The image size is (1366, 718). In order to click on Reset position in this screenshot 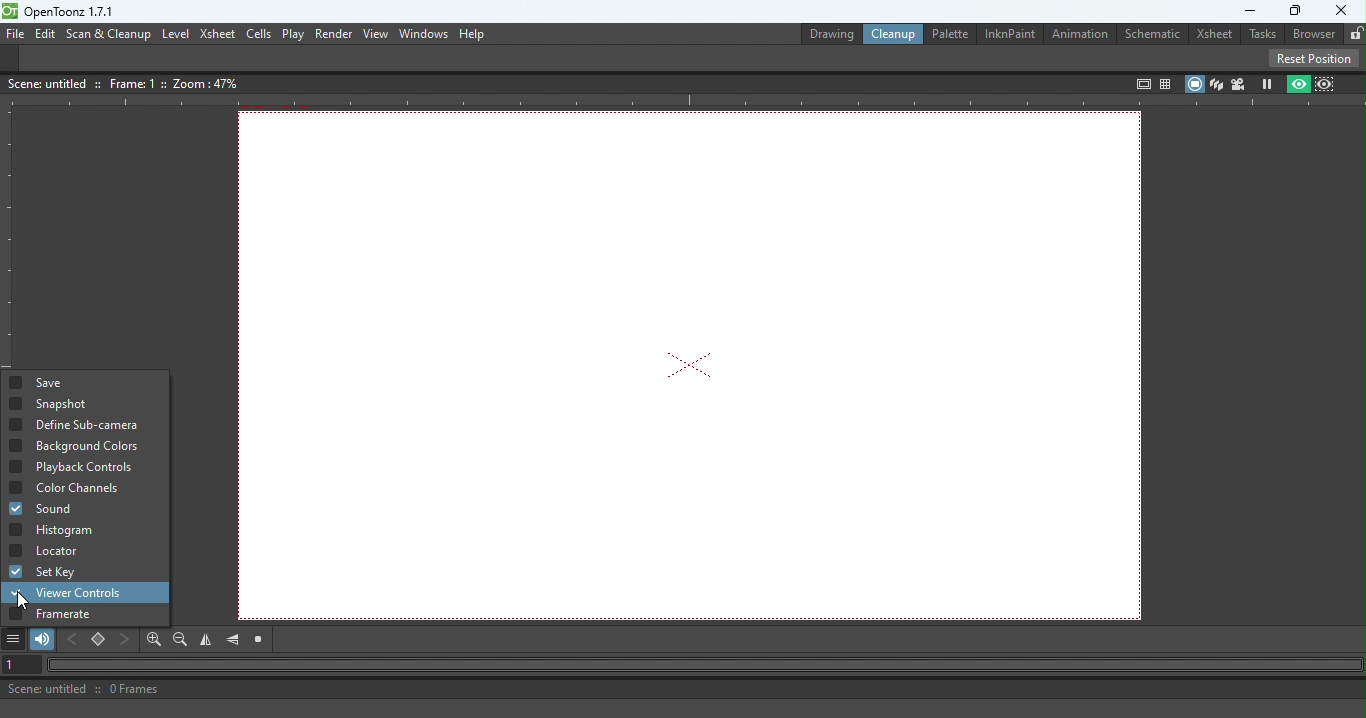, I will do `click(1317, 57)`.